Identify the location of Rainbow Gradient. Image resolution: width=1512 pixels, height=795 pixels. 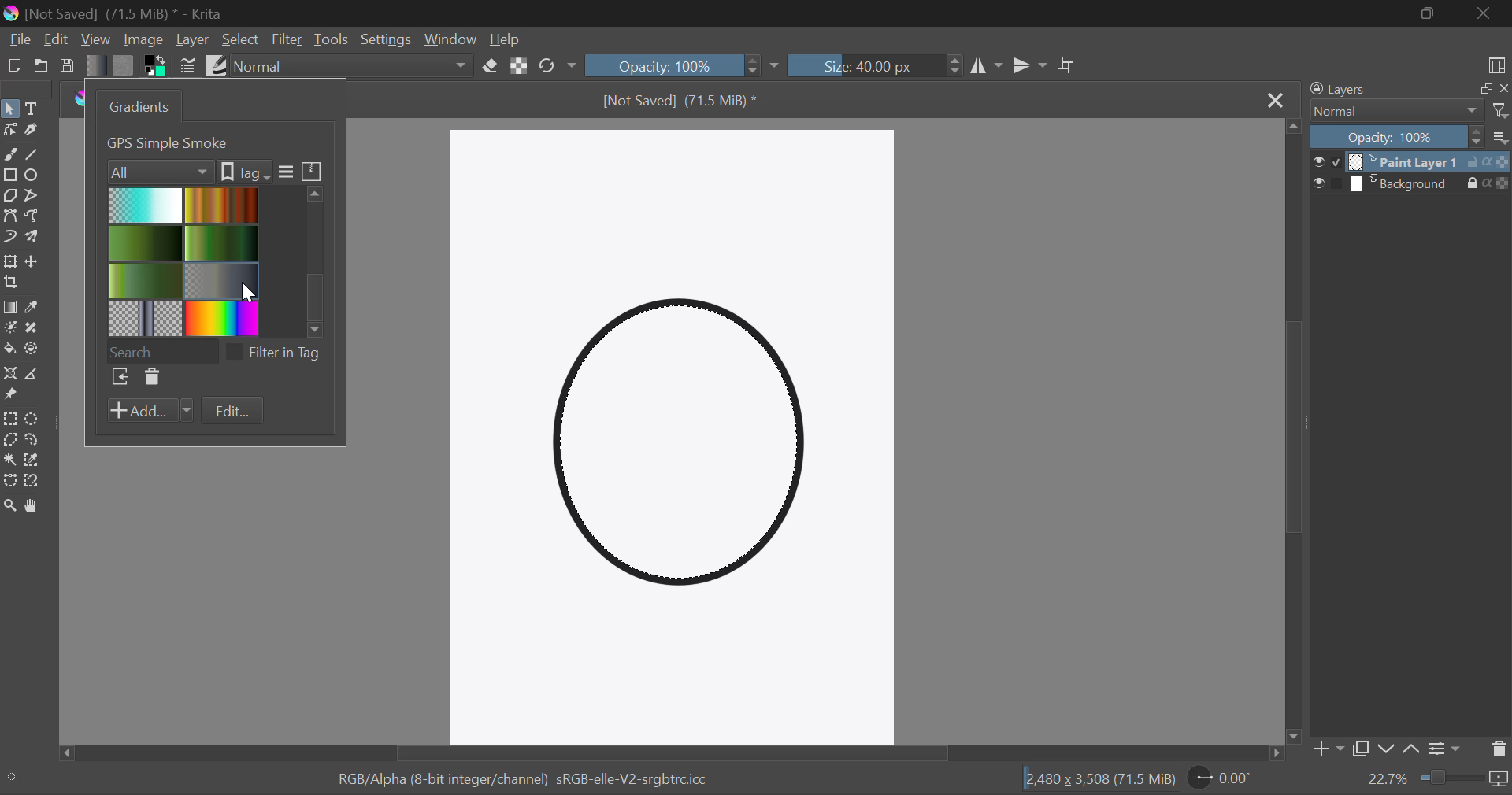
(224, 318).